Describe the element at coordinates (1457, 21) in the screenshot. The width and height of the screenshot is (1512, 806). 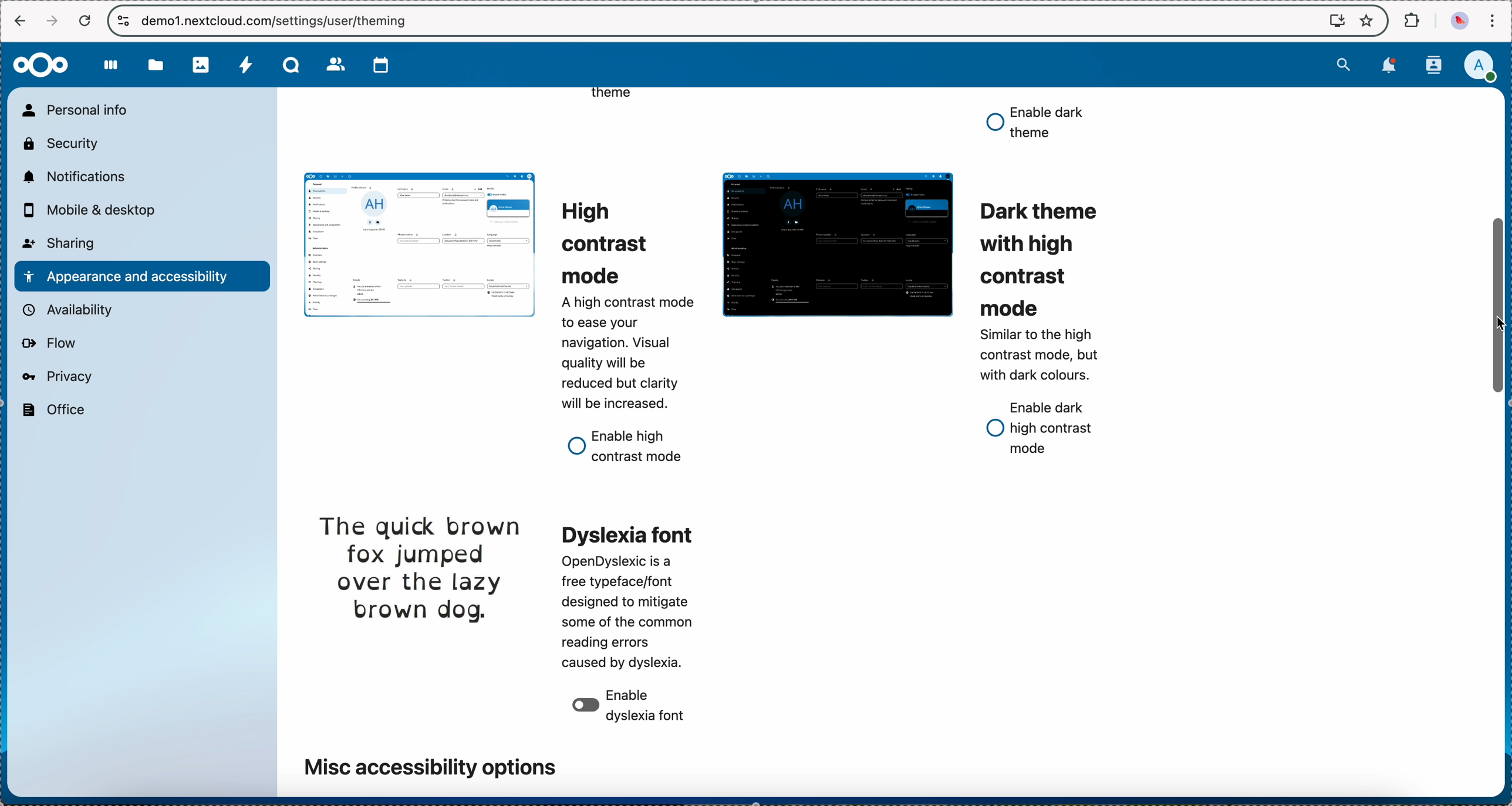
I see `profile picture` at that location.